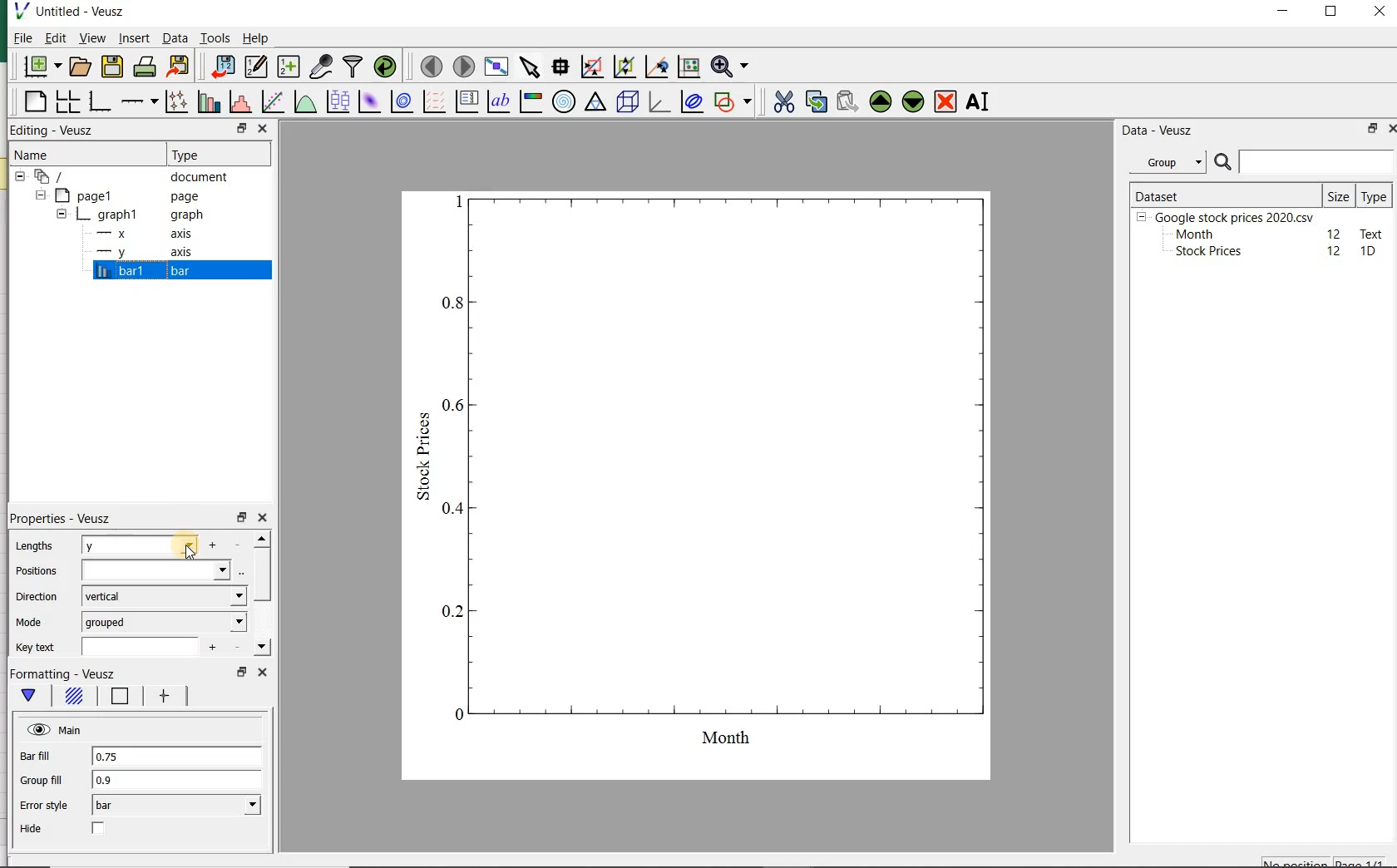 This screenshot has height=868, width=1397. I want to click on Positions, so click(34, 570).